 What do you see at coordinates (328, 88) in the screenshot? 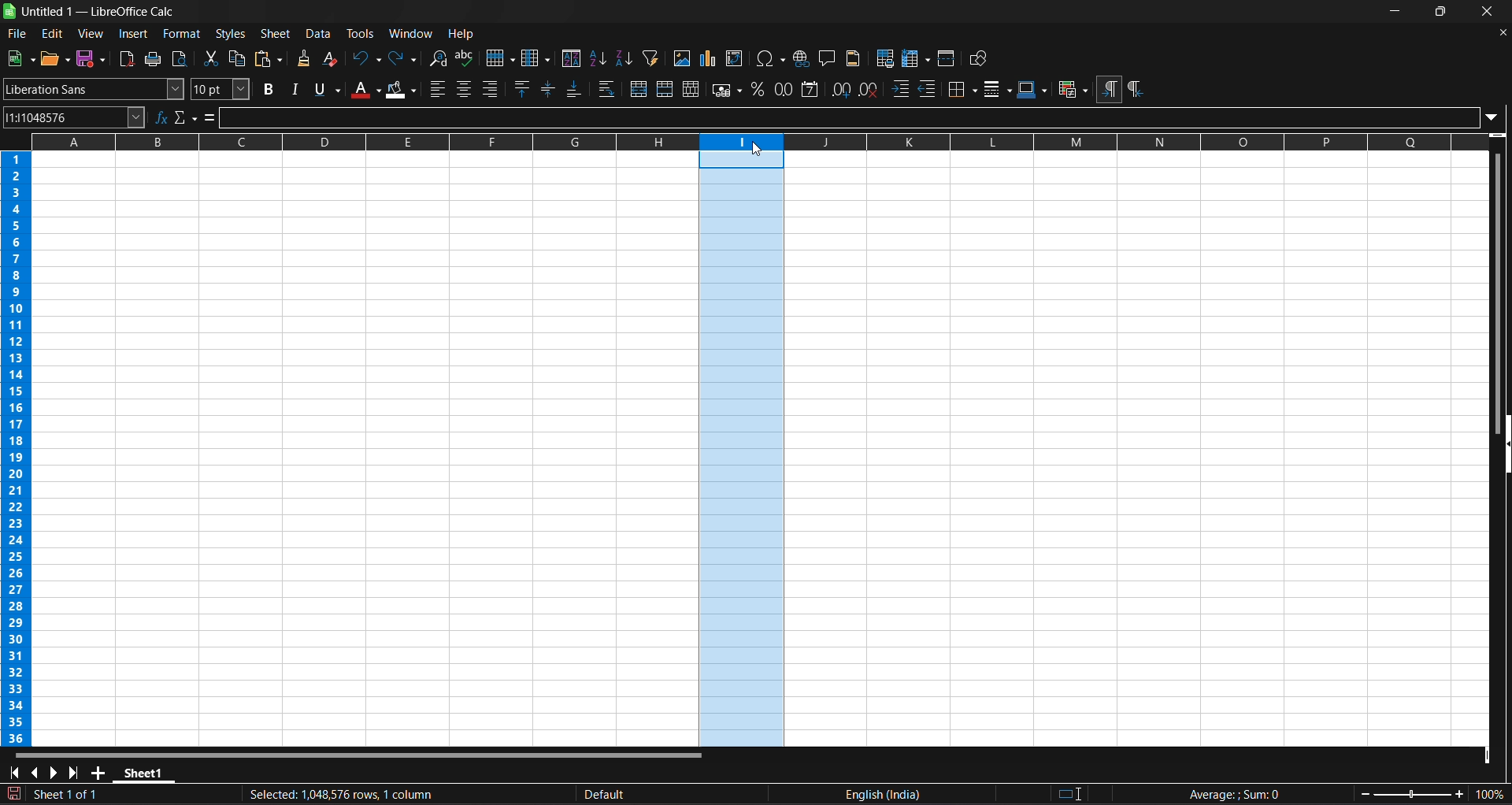
I see `underline` at bounding box center [328, 88].